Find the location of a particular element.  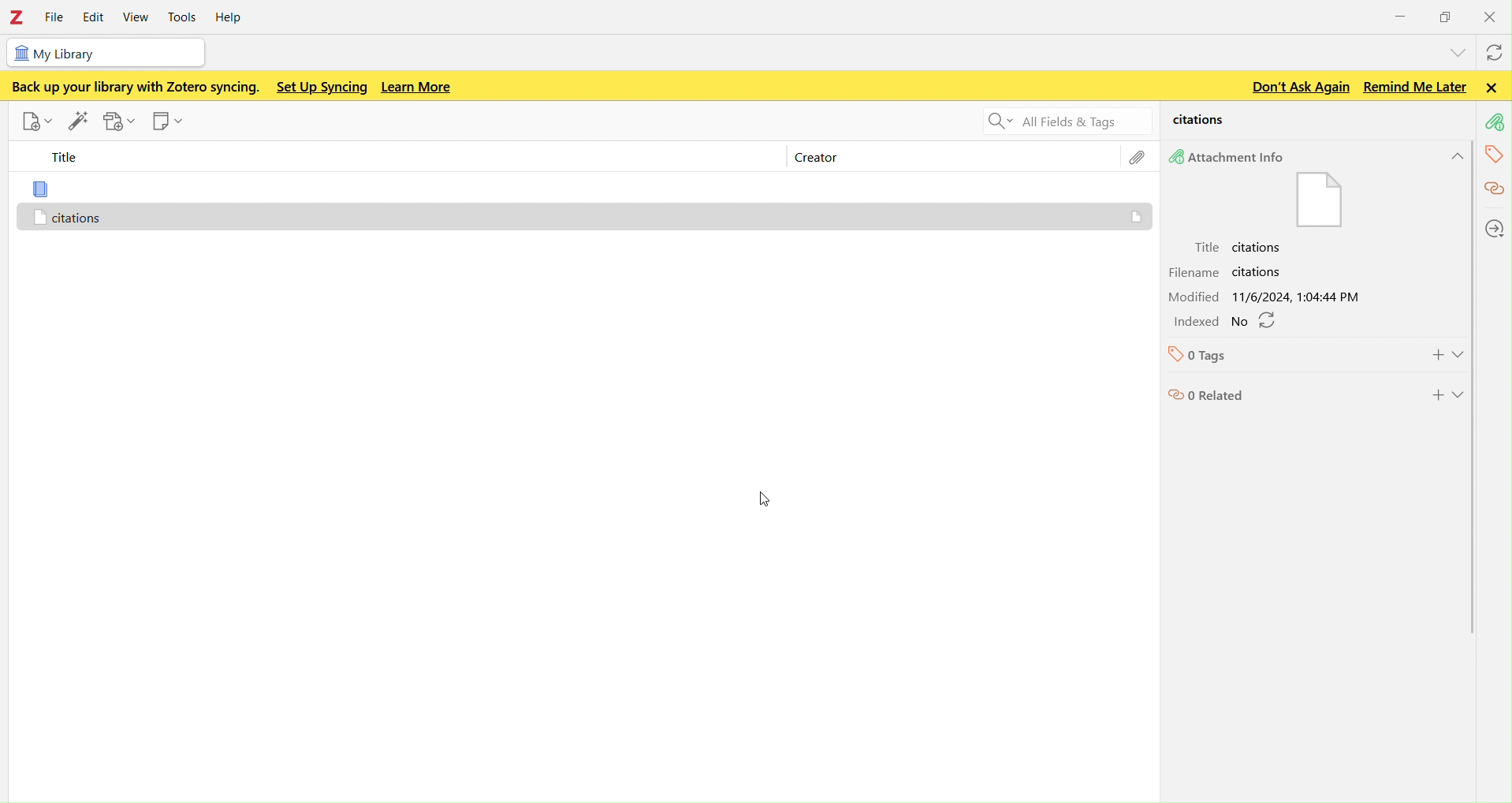

view is located at coordinates (140, 17).